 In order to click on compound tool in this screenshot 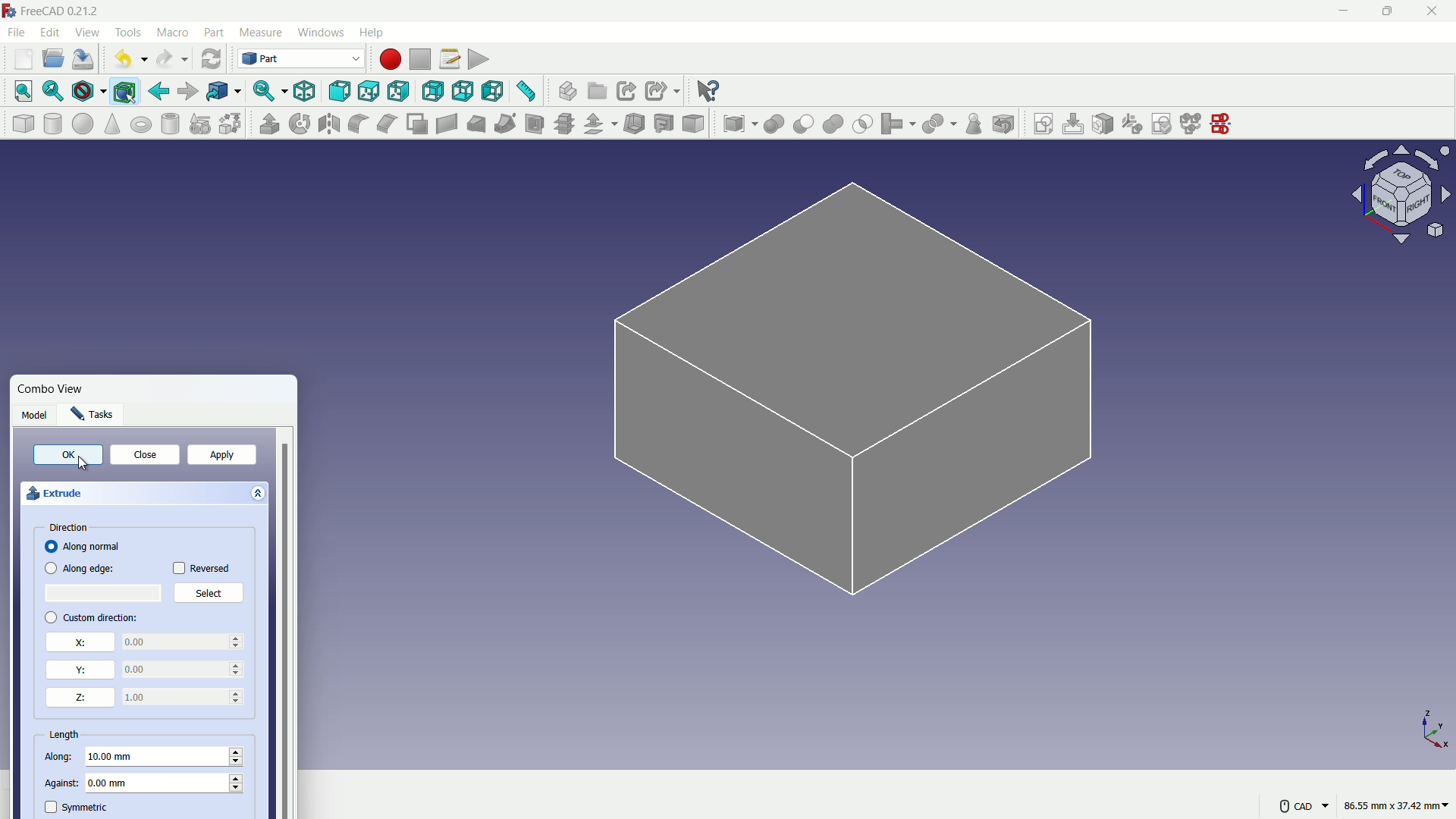, I will do `click(741, 125)`.